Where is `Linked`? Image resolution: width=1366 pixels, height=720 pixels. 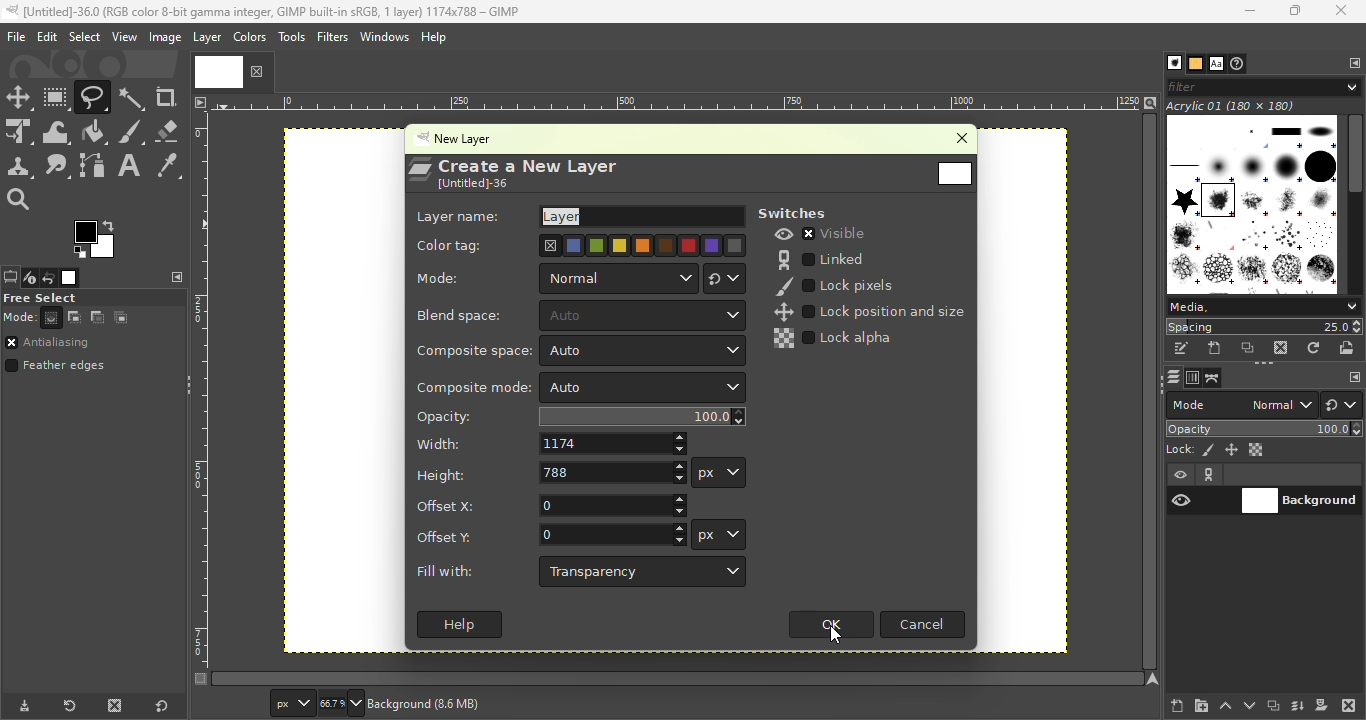
Linked is located at coordinates (820, 257).